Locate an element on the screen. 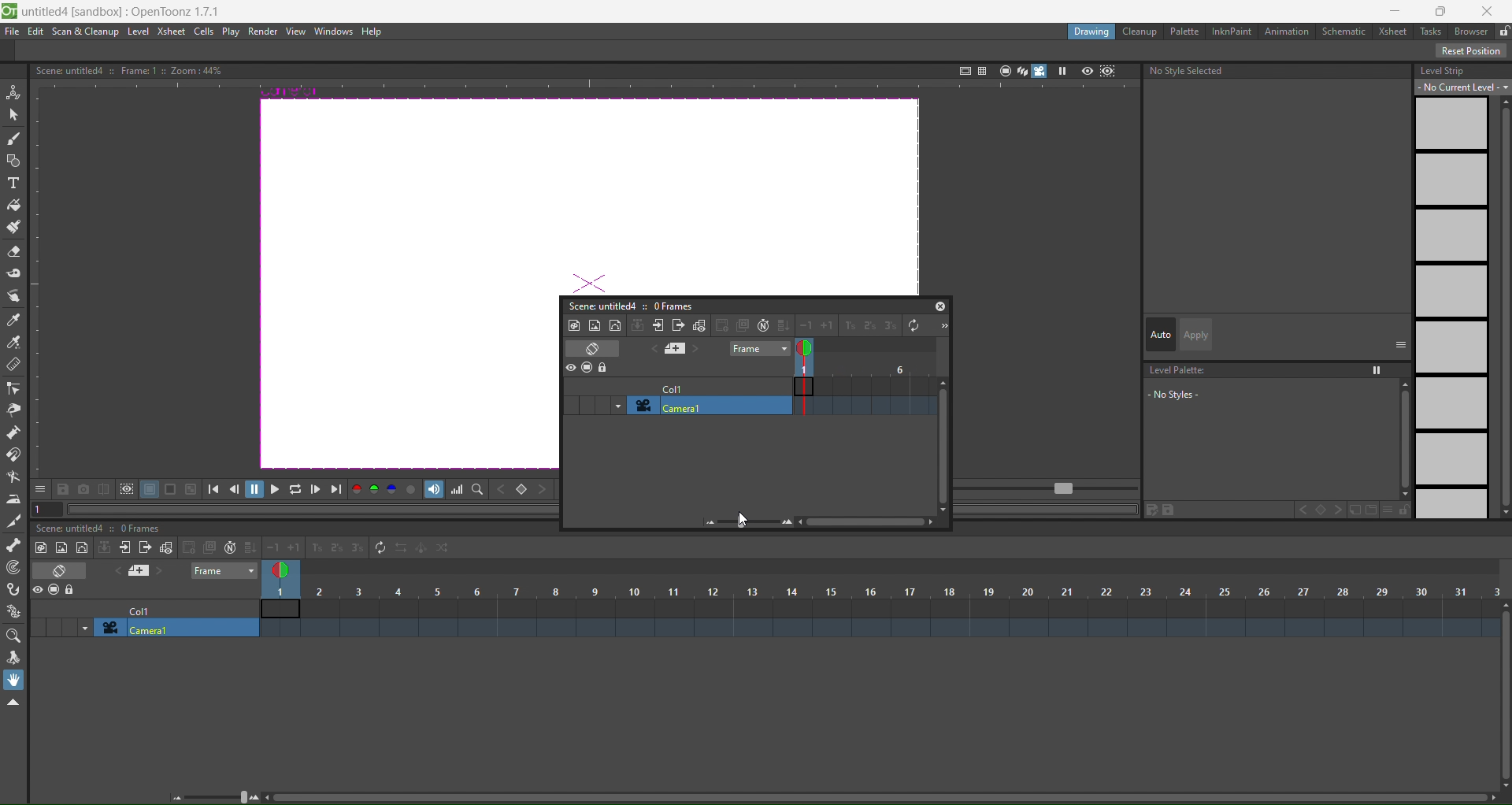 This screenshot has height=805, width=1512. rbg picker tool is located at coordinates (14, 343).